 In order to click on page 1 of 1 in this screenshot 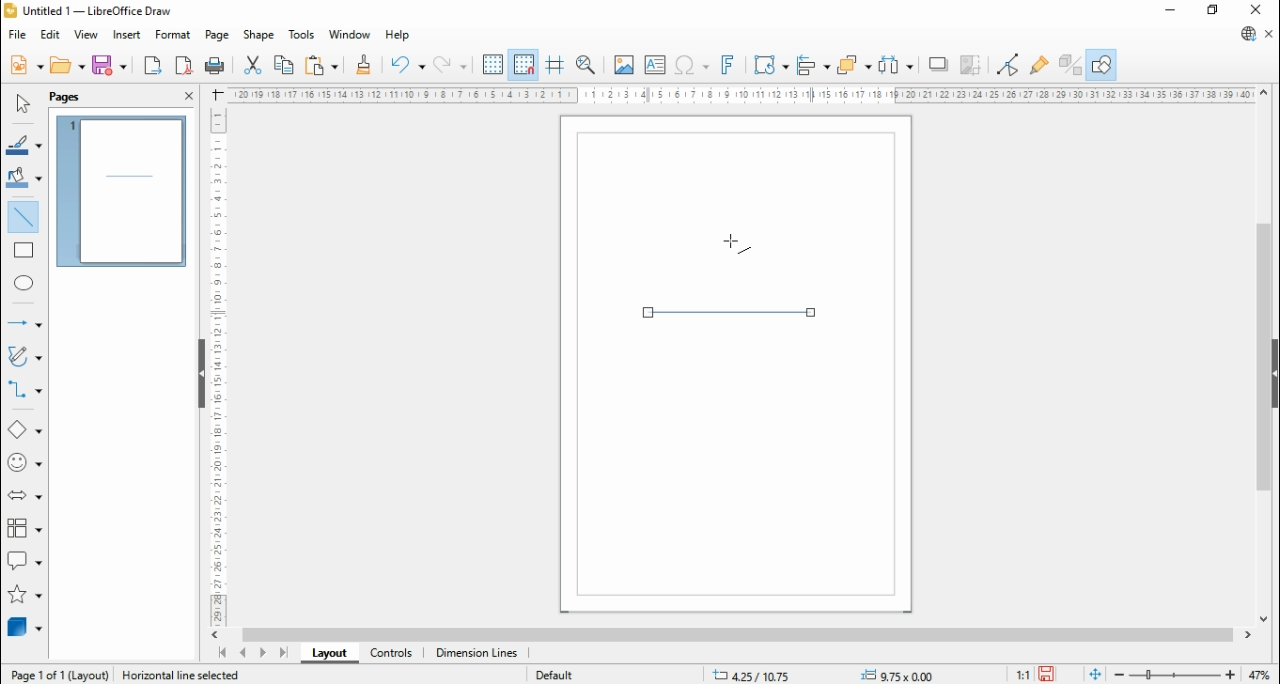, I will do `click(59, 675)`.